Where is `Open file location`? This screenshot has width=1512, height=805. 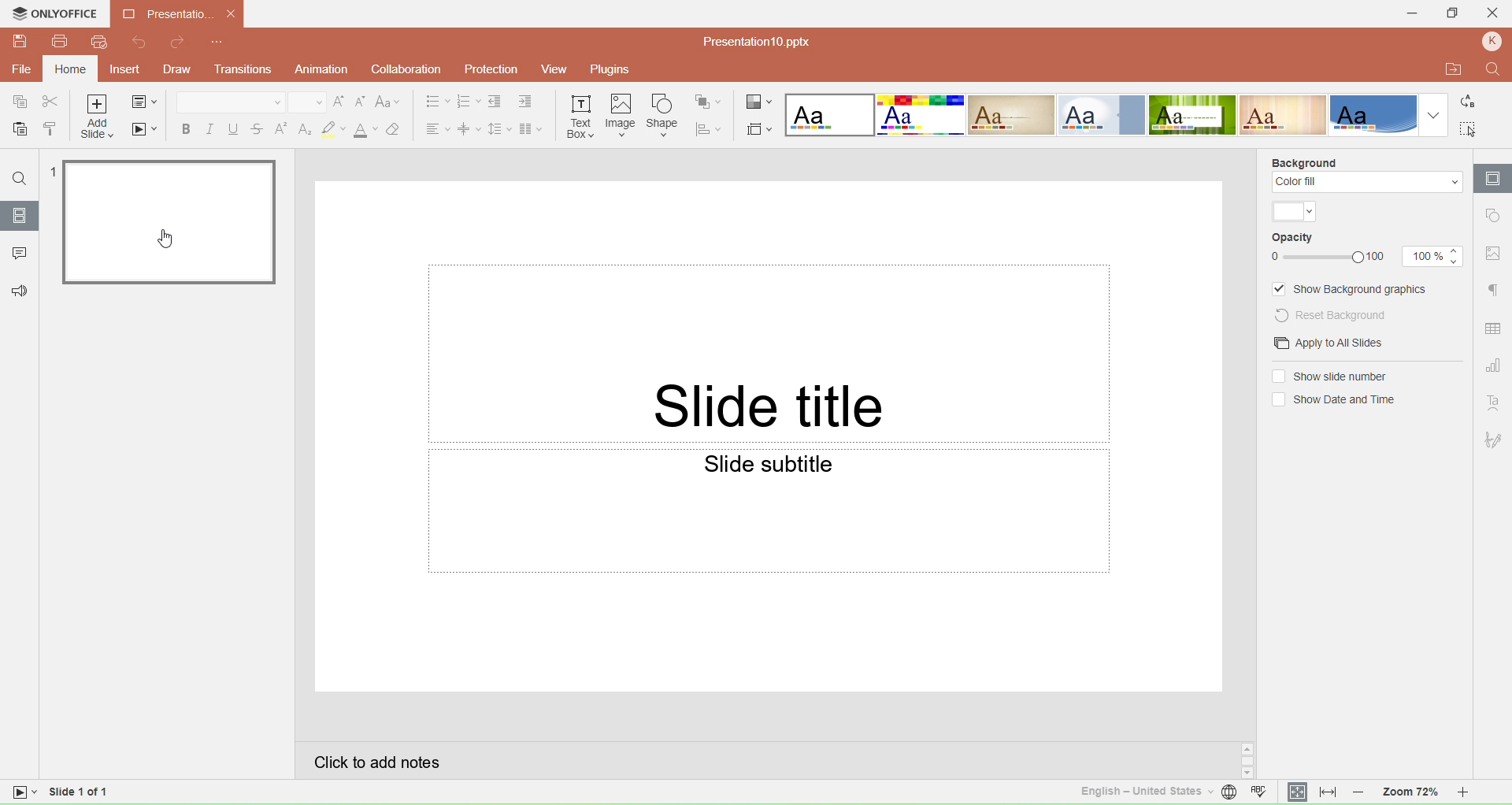 Open file location is located at coordinates (1448, 69).